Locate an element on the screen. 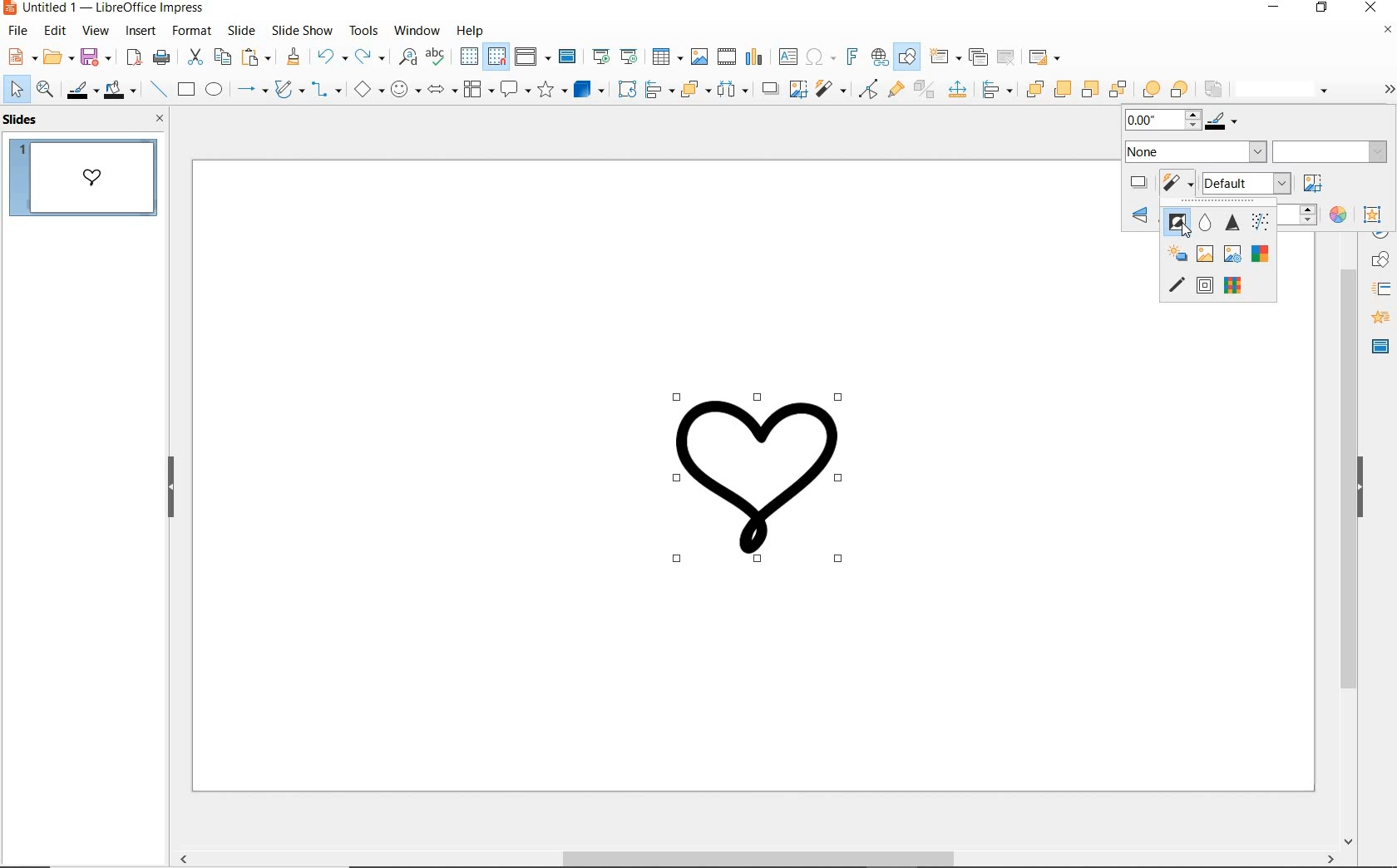 The width and height of the screenshot is (1397, 868). charcoal sketch is located at coordinates (1177, 287).